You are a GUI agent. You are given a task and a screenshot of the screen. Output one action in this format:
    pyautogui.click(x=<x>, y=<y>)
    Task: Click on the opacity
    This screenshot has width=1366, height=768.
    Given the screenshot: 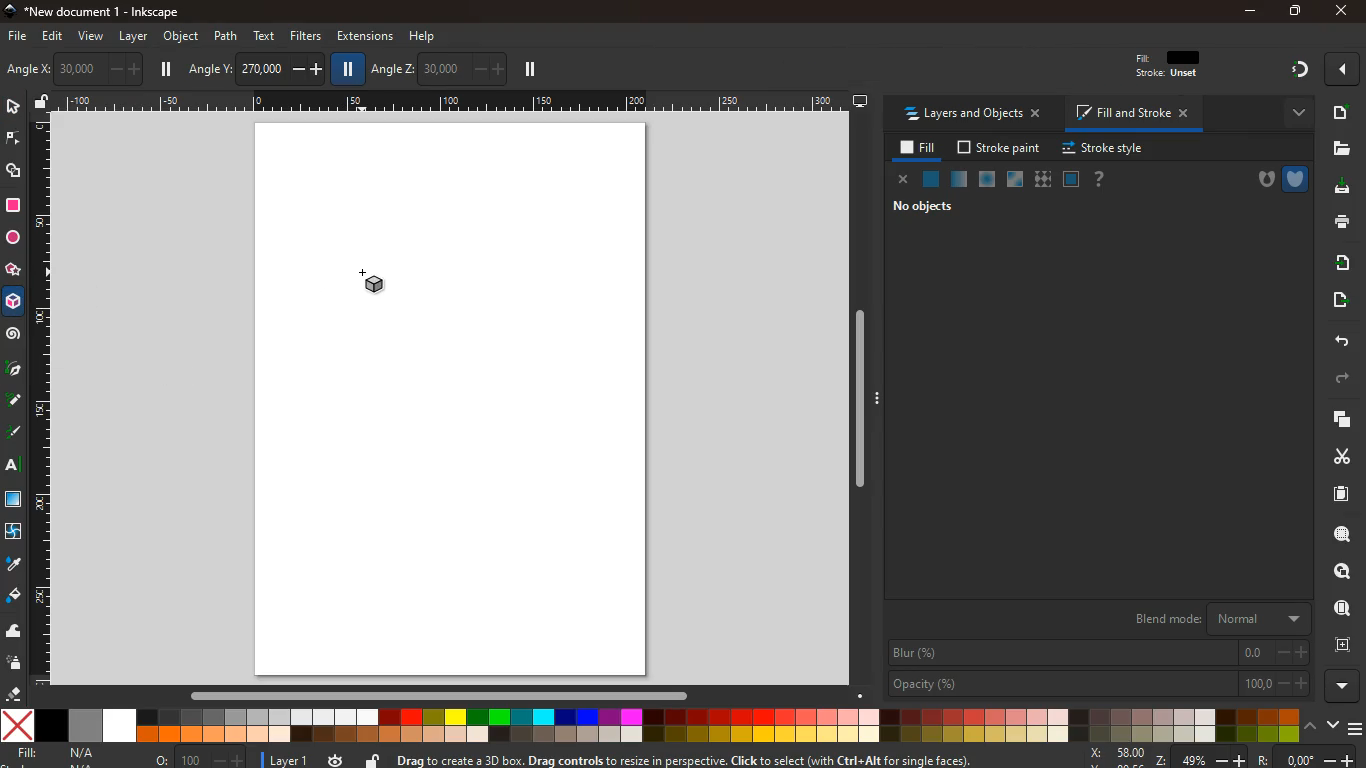 What is the action you would take?
    pyautogui.click(x=1097, y=685)
    